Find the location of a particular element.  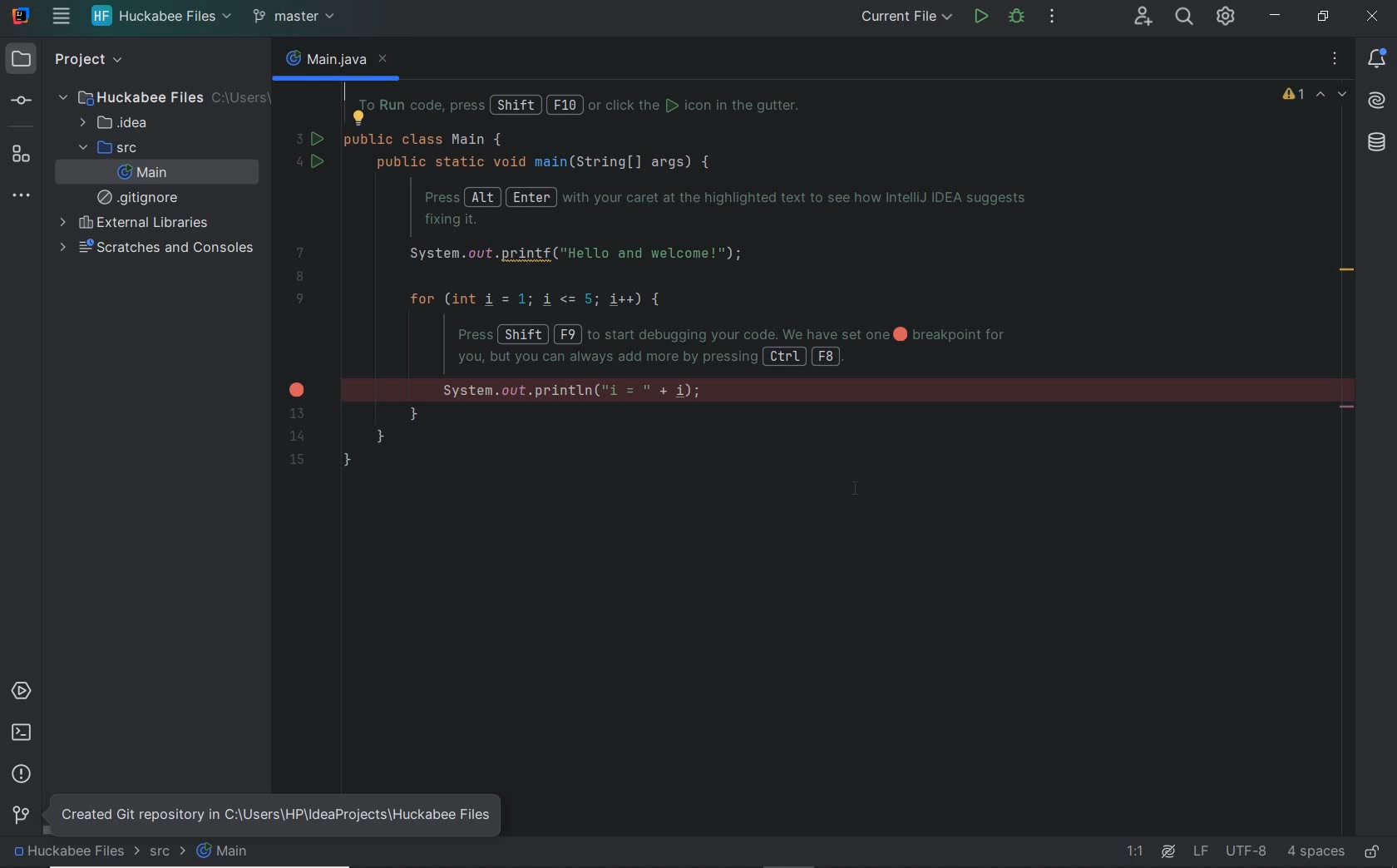

Huckabee Files is located at coordinates (158, 96).